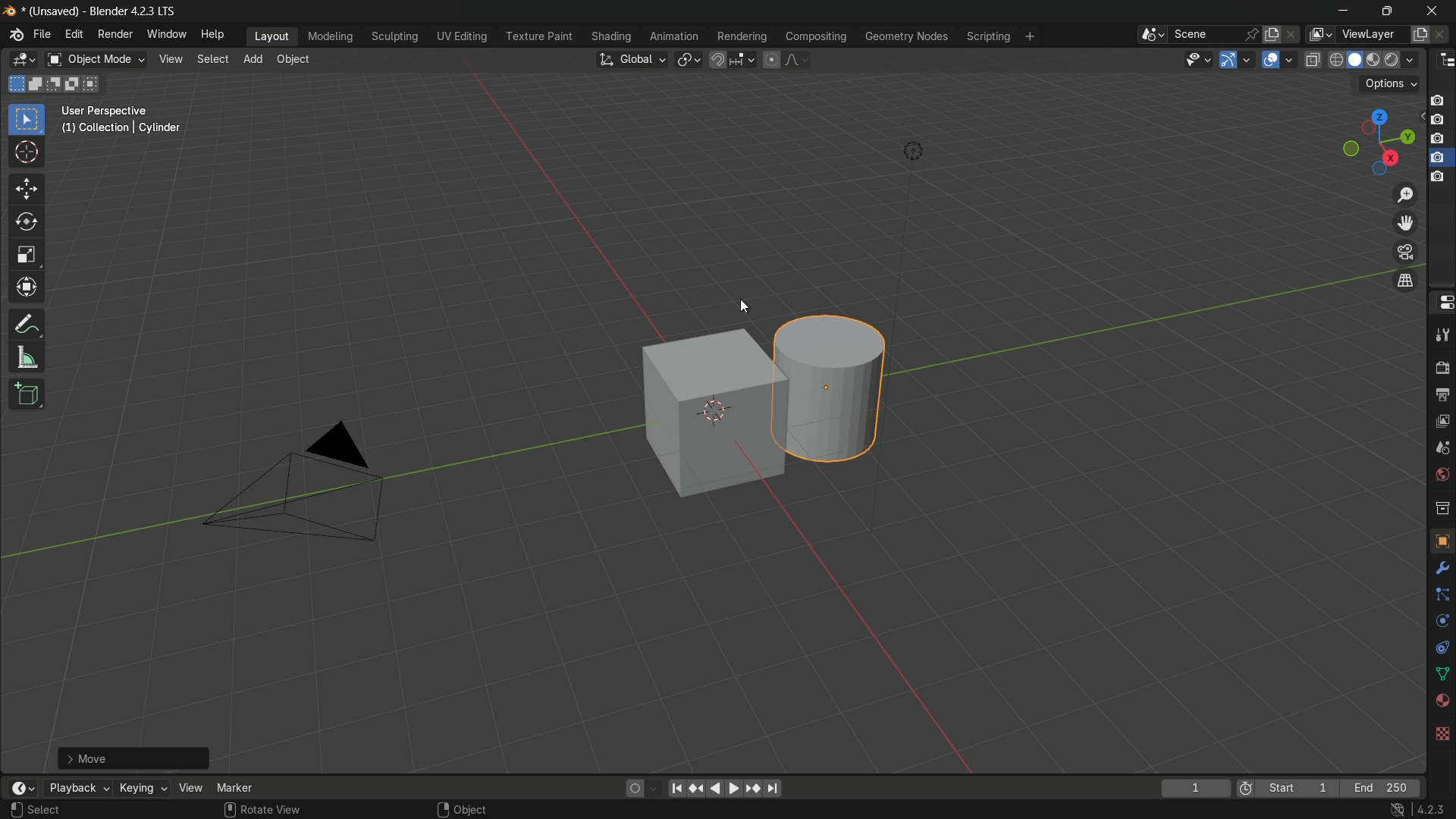 This screenshot has height=819, width=1456. What do you see at coordinates (1344, 12) in the screenshot?
I see `minimize` at bounding box center [1344, 12].